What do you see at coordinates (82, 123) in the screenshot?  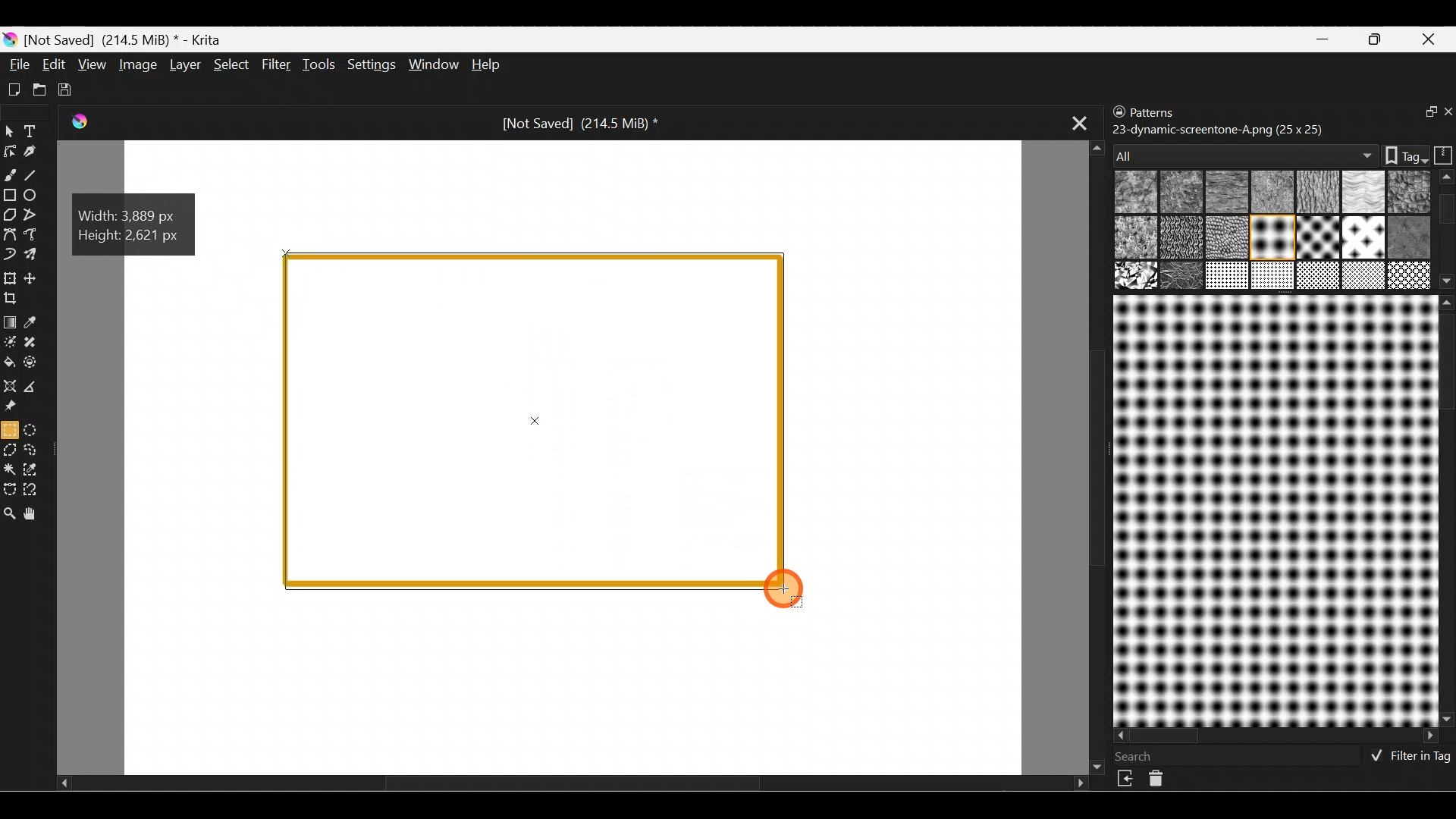 I see `Krita Logo` at bounding box center [82, 123].